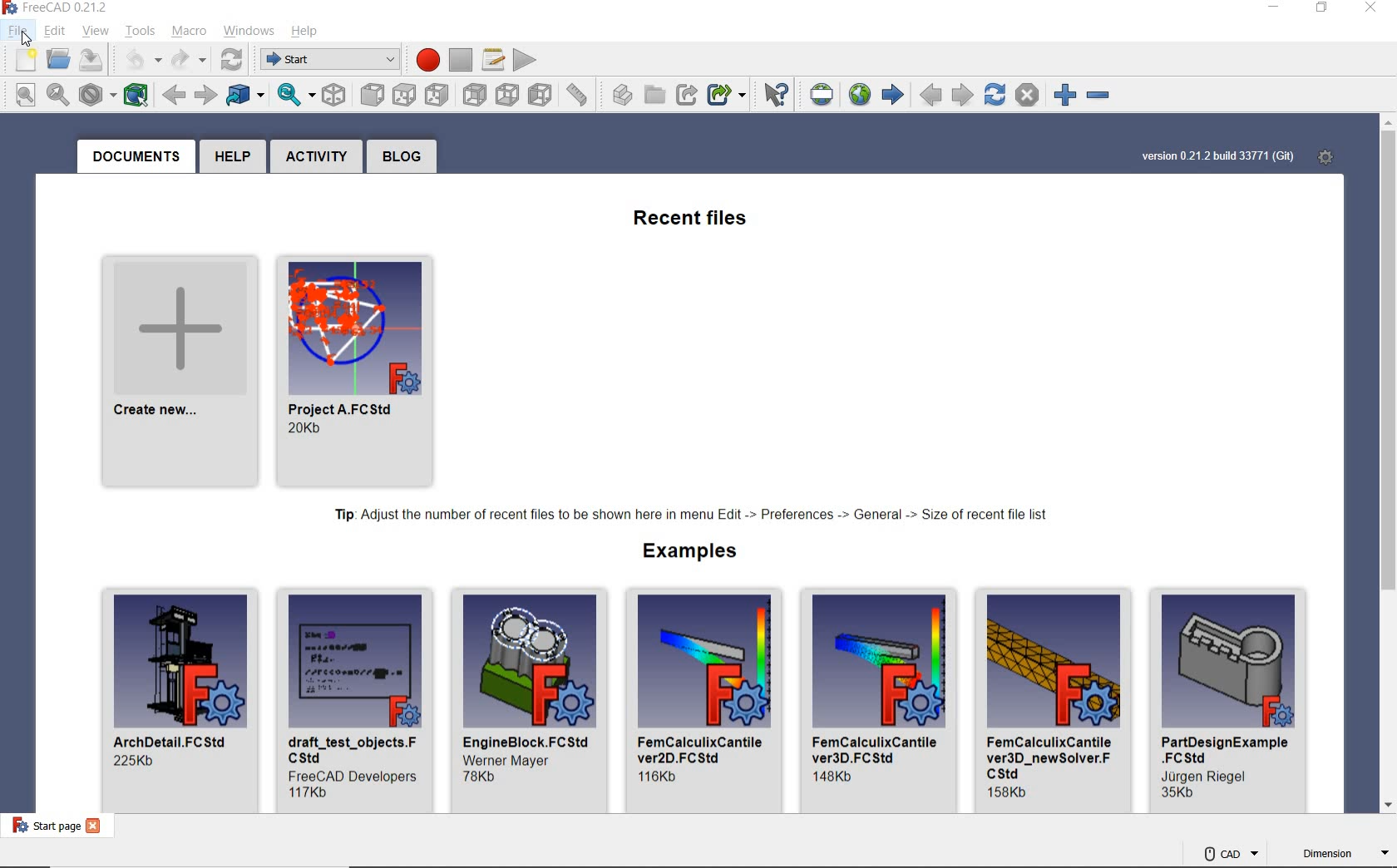 Image resolution: width=1397 pixels, height=868 pixels. Describe the element at coordinates (21, 94) in the screenshot. I see `FIT ALL` at that location.